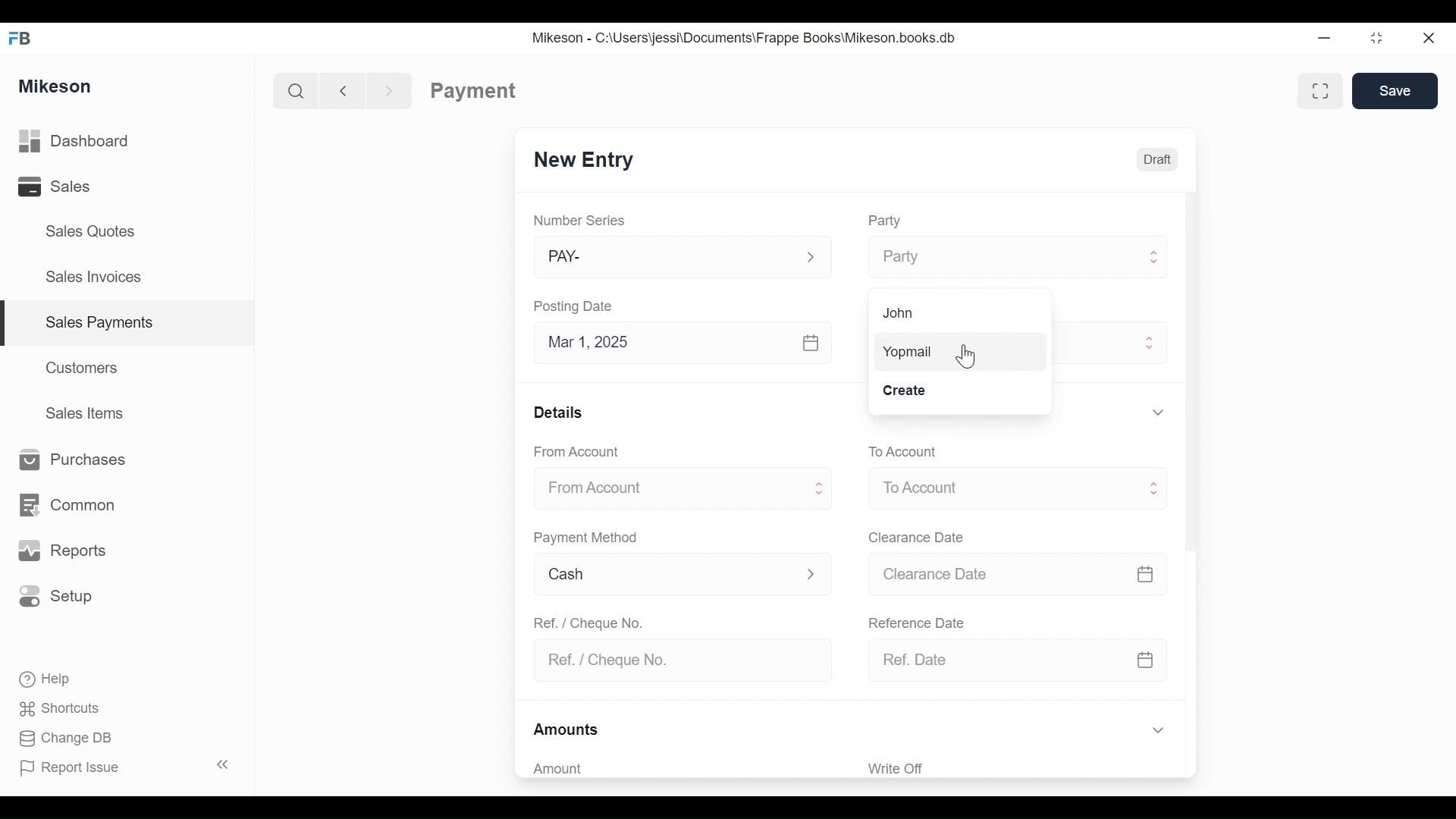  What do you see at coordinates (61, 597) in the screenshot?
I see `Setup` at bounding box center [61, 597].